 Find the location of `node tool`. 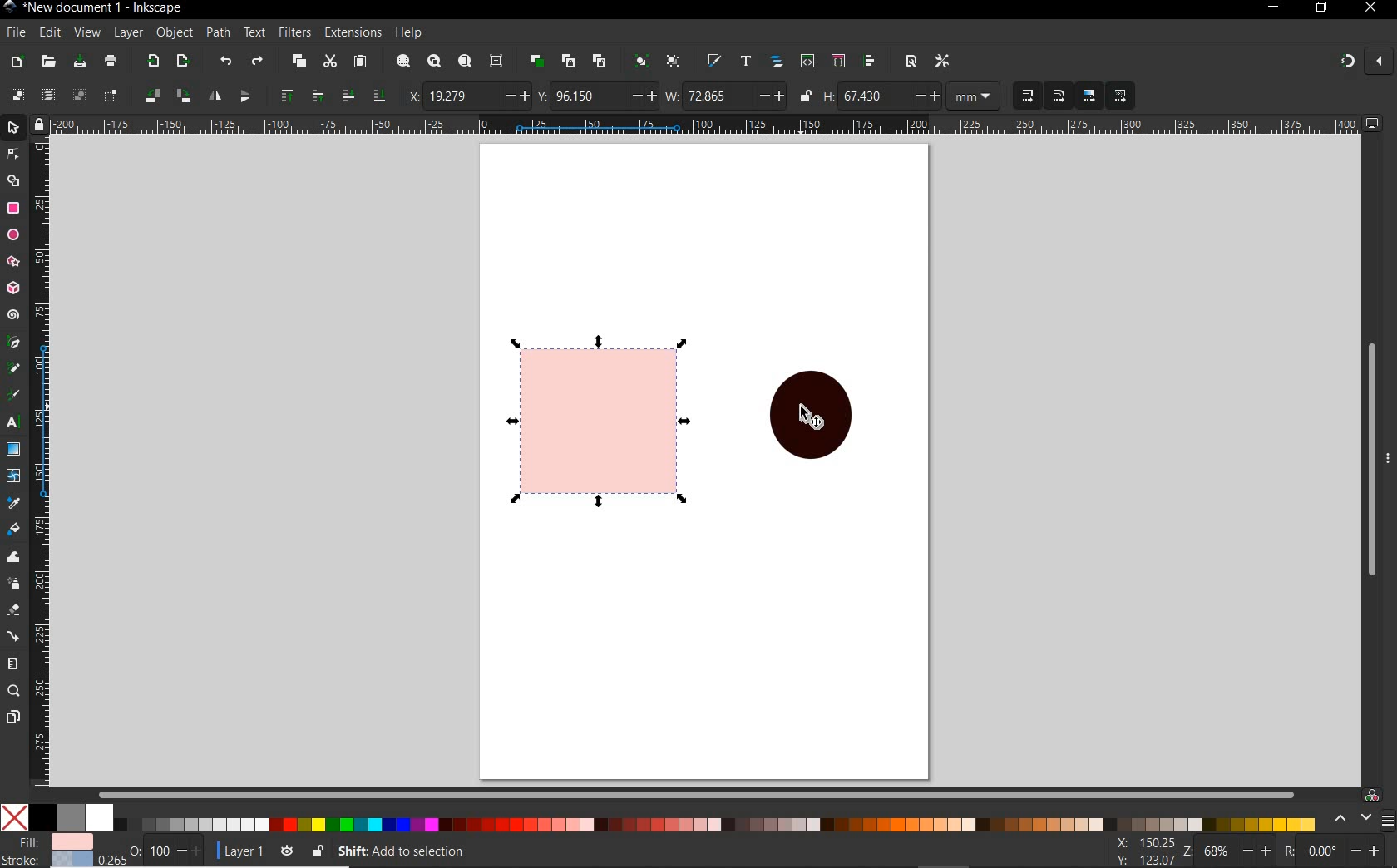

node tool is located at coordinates (12, 152).